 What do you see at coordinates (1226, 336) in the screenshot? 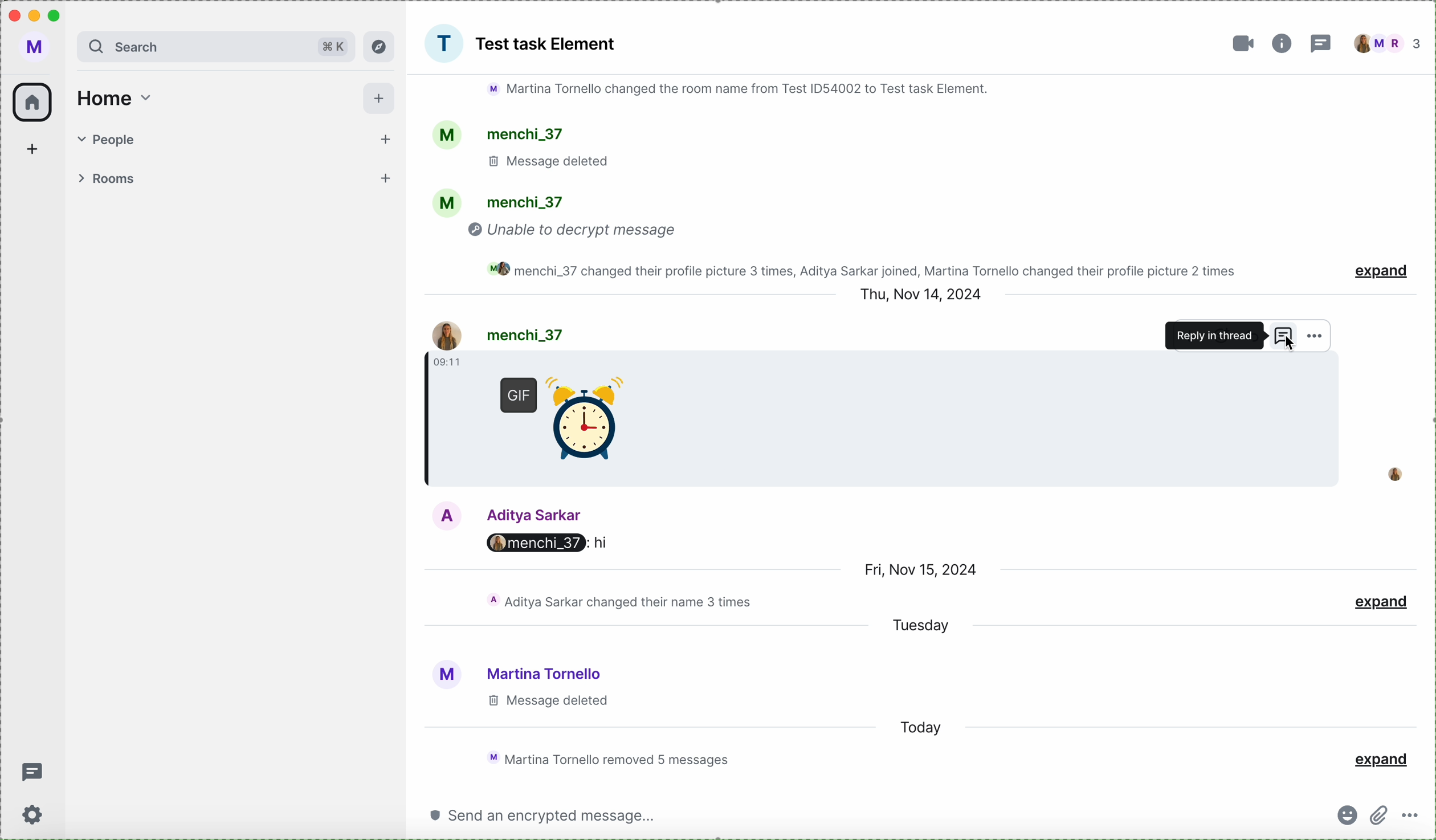
I see `click on reply in thread` at bounding box center [1226, 336].